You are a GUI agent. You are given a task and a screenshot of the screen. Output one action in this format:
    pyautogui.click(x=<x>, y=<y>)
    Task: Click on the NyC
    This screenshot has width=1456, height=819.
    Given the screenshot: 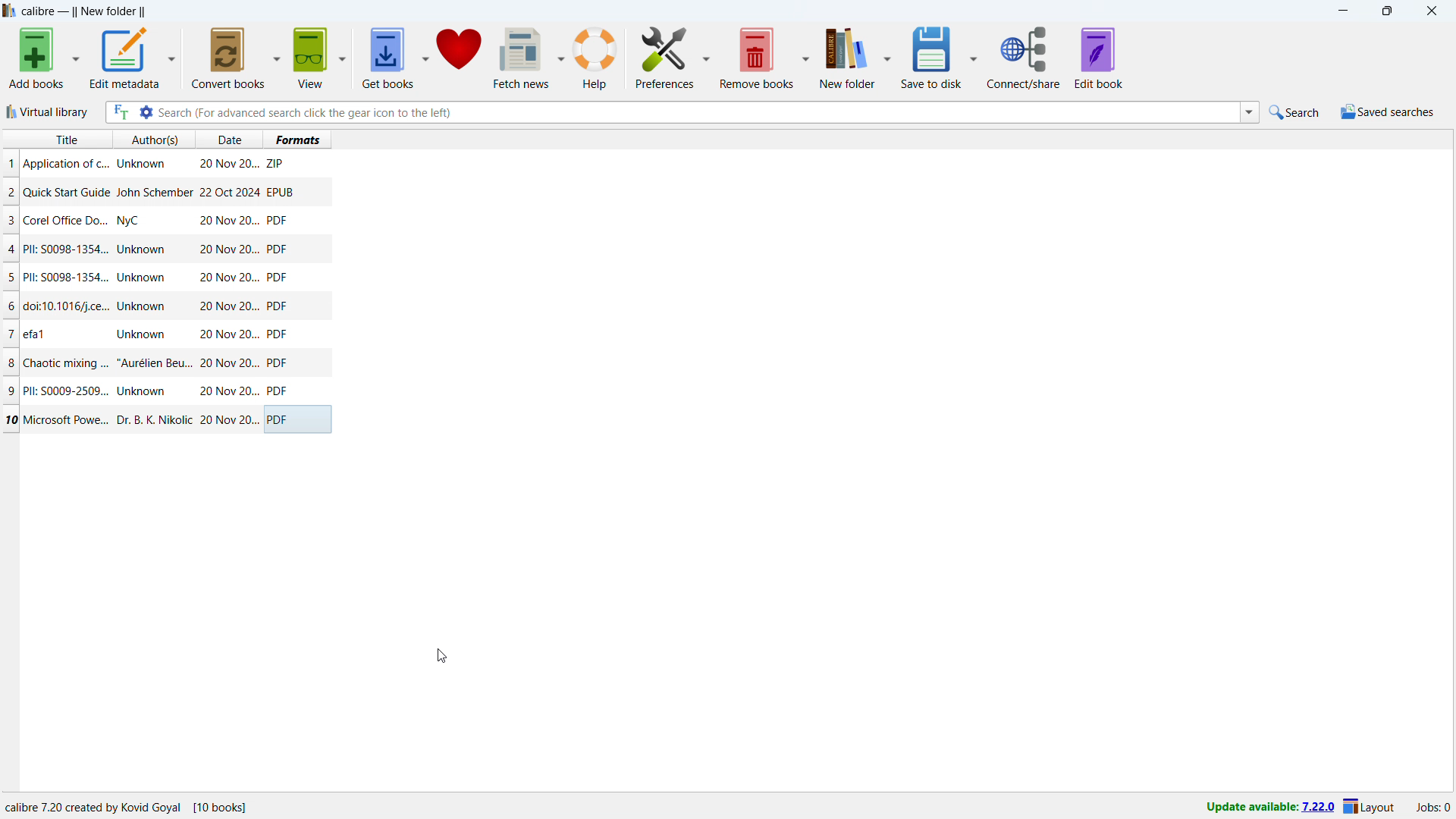 What is the action you would take?
    pyautogui.click(x=128, y=221)
    